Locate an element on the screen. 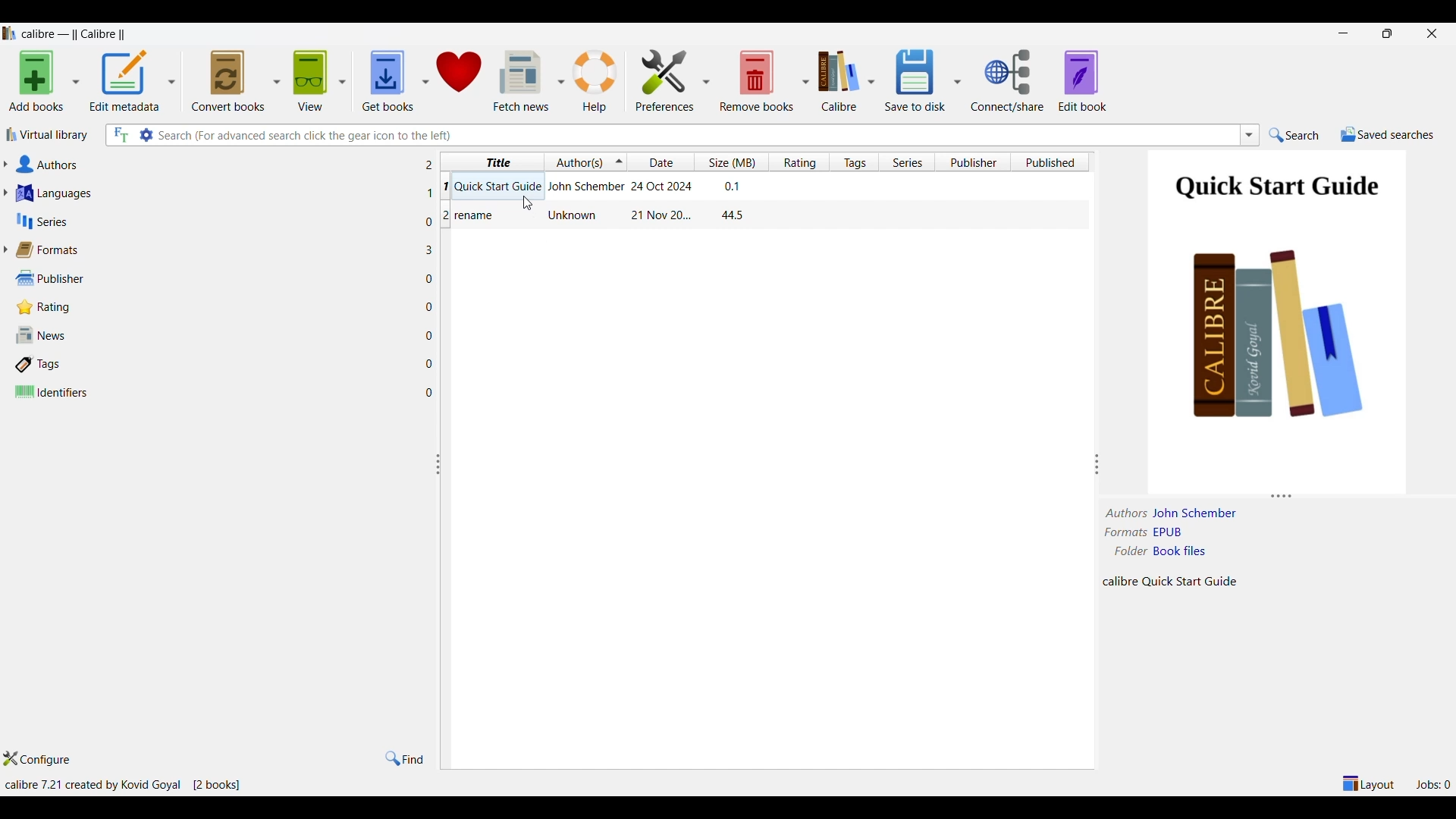  Help is located at coordinates (598, 80).